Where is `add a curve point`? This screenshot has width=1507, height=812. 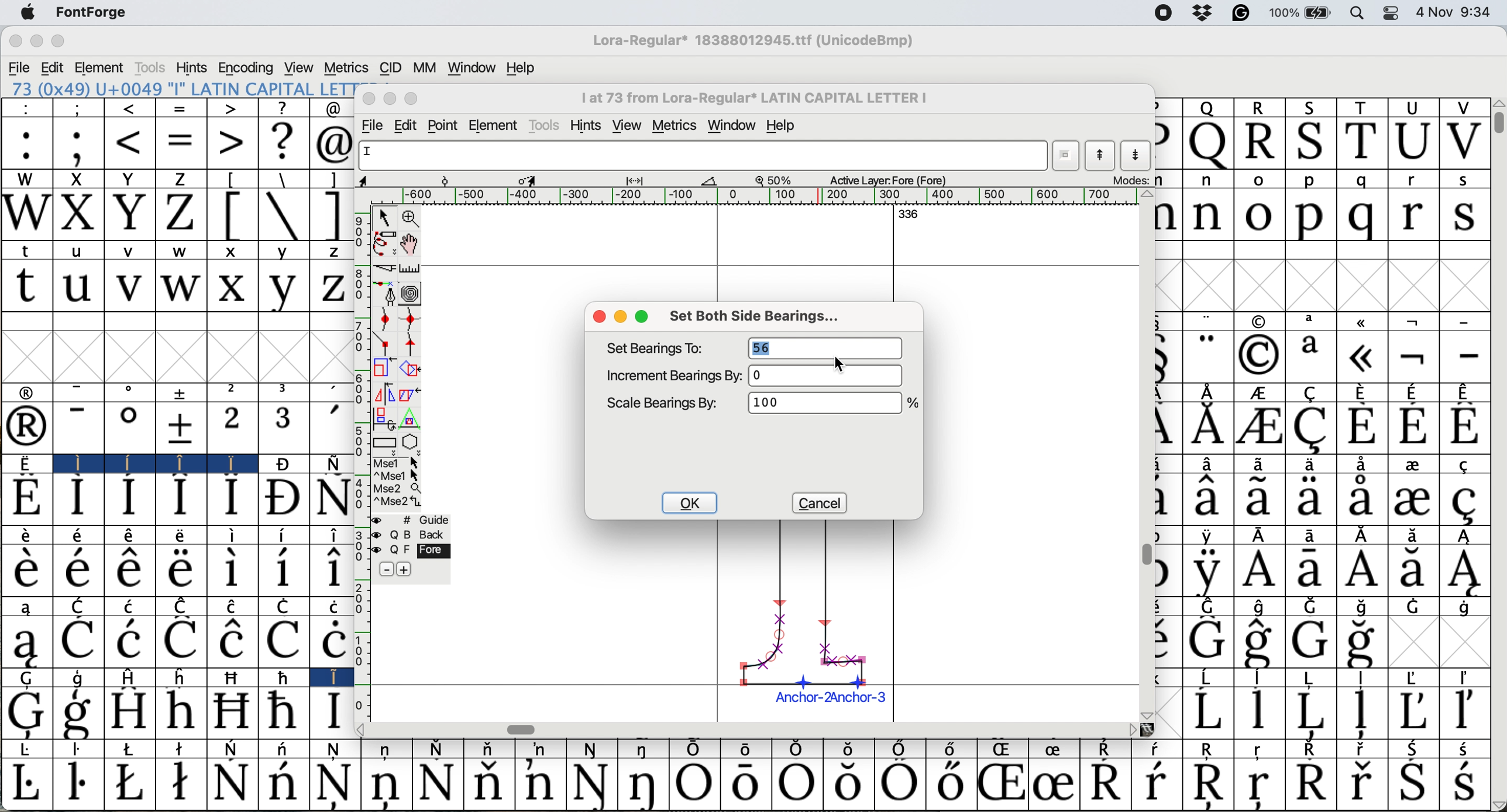
add a curve point is located at coordinates (384, 321).